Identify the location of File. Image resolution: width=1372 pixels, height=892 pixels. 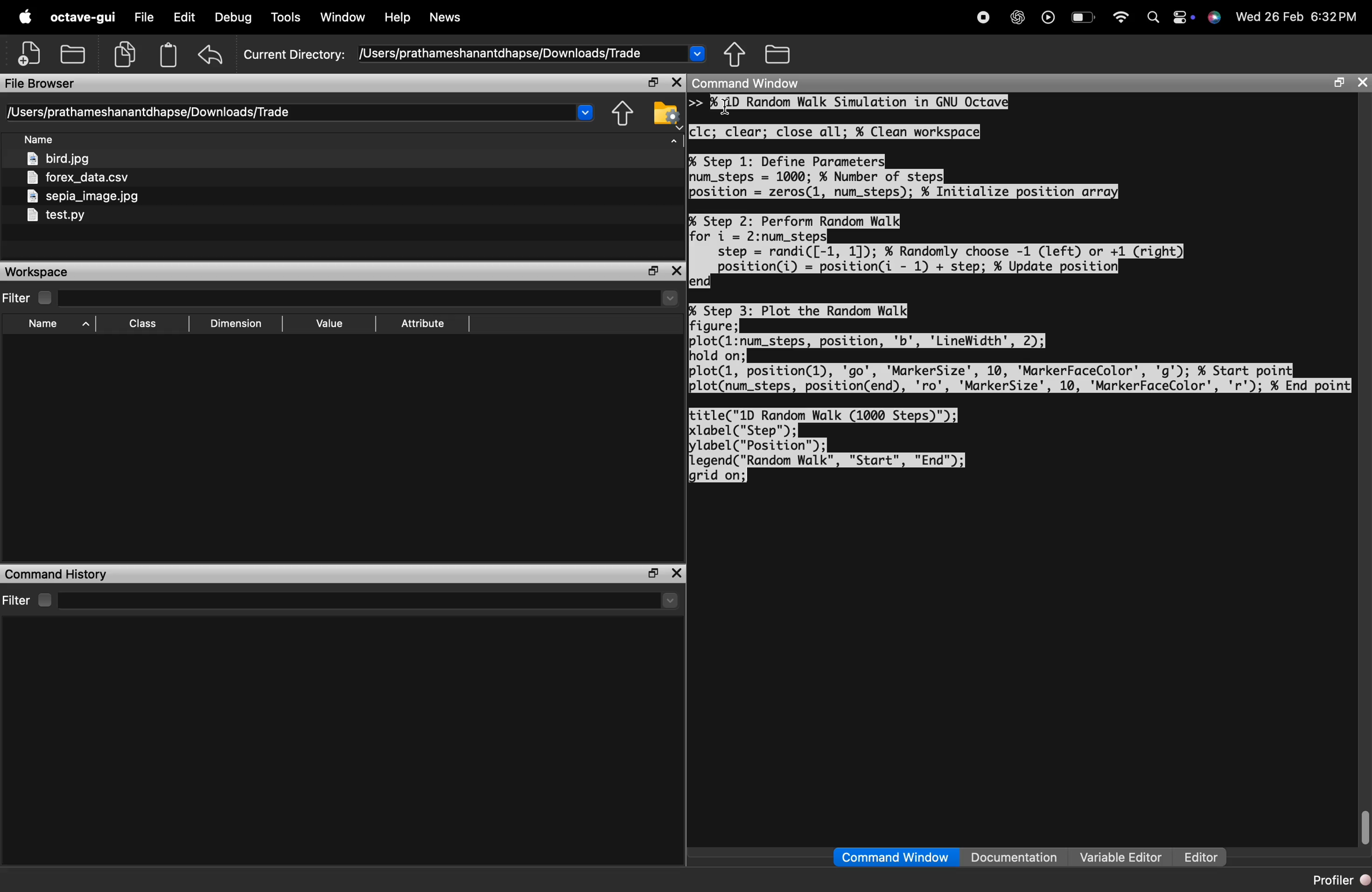
(142, 18).